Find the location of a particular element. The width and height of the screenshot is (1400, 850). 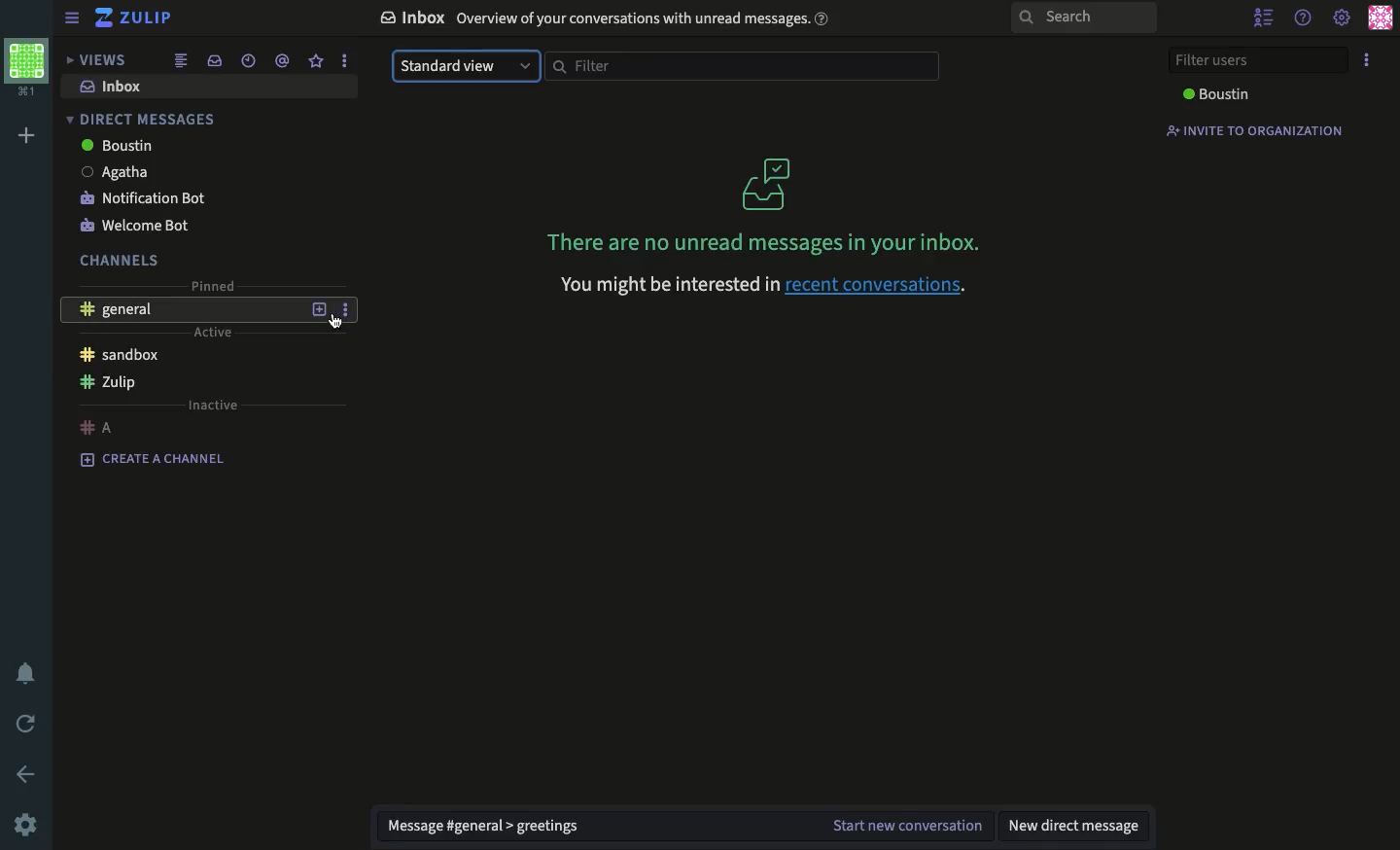

direct messages is located at coordinates (143, 119).